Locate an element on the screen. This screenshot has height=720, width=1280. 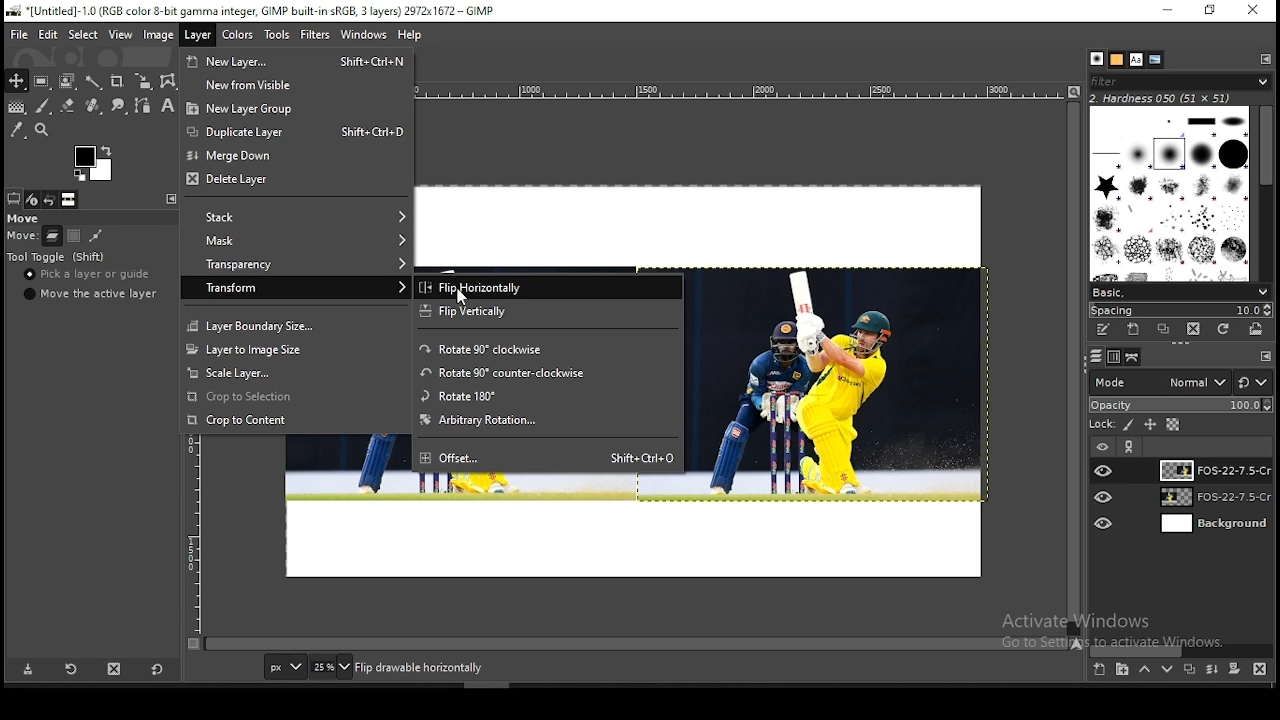
layer boundary size is located at coordinates (295, 324).